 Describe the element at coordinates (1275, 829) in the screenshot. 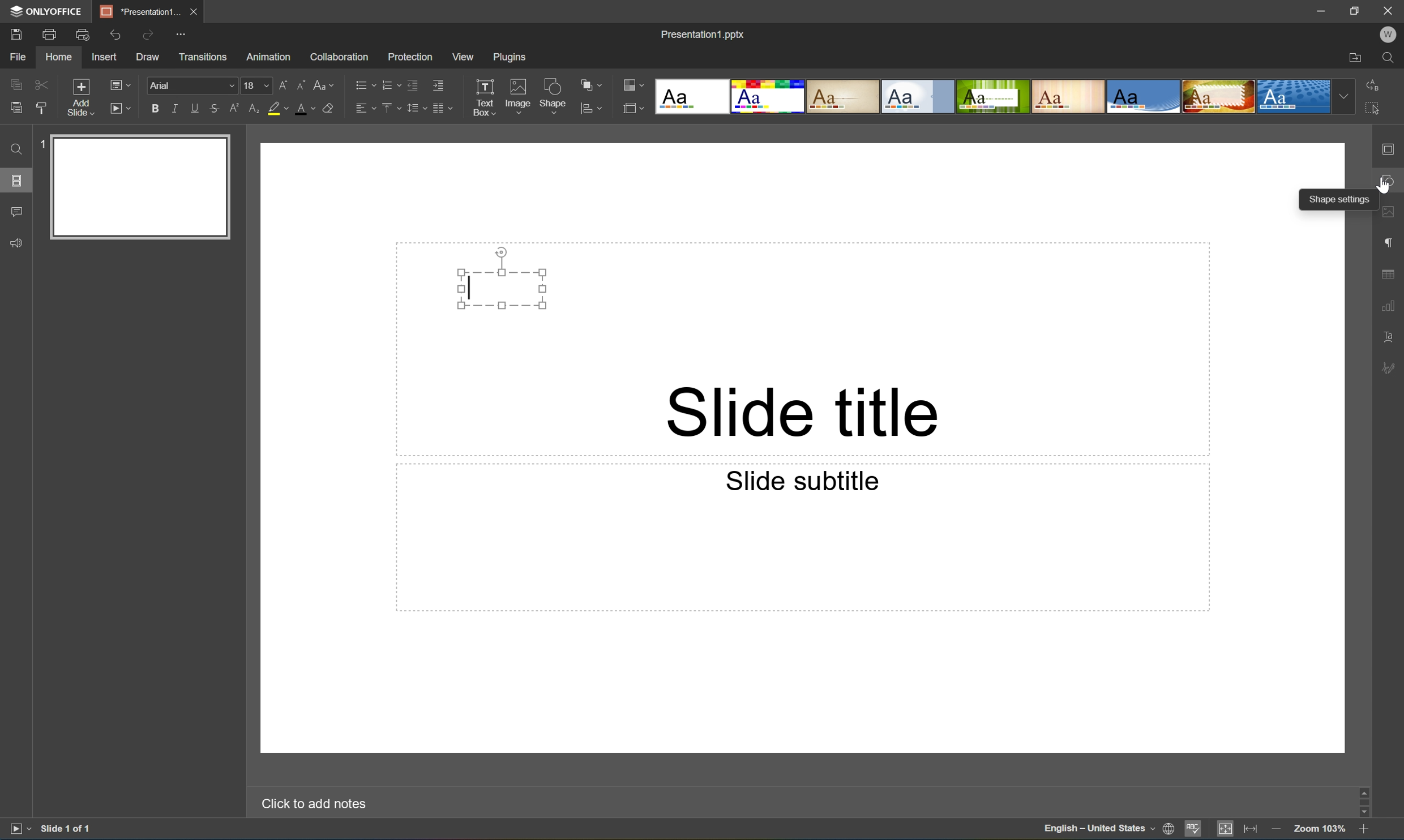

I see `Zoom out` at that location.